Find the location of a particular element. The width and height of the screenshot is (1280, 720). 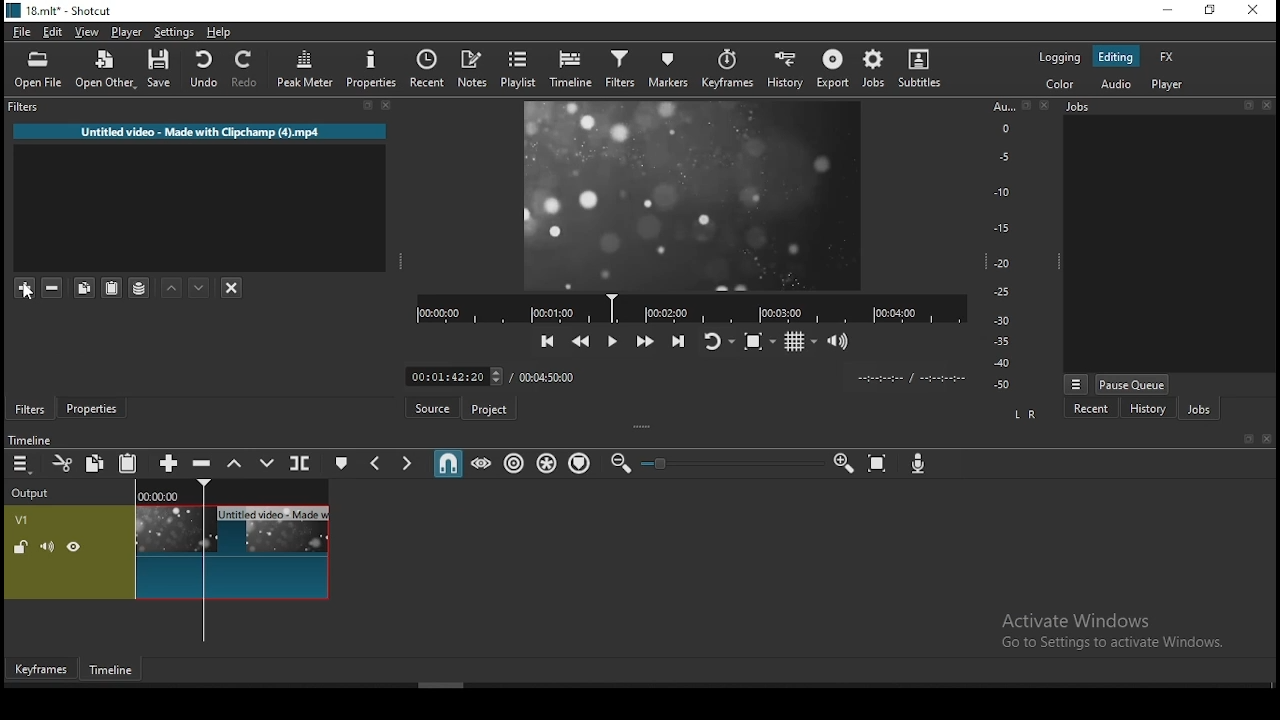

save filter preset is located at coordinates (141, 286).